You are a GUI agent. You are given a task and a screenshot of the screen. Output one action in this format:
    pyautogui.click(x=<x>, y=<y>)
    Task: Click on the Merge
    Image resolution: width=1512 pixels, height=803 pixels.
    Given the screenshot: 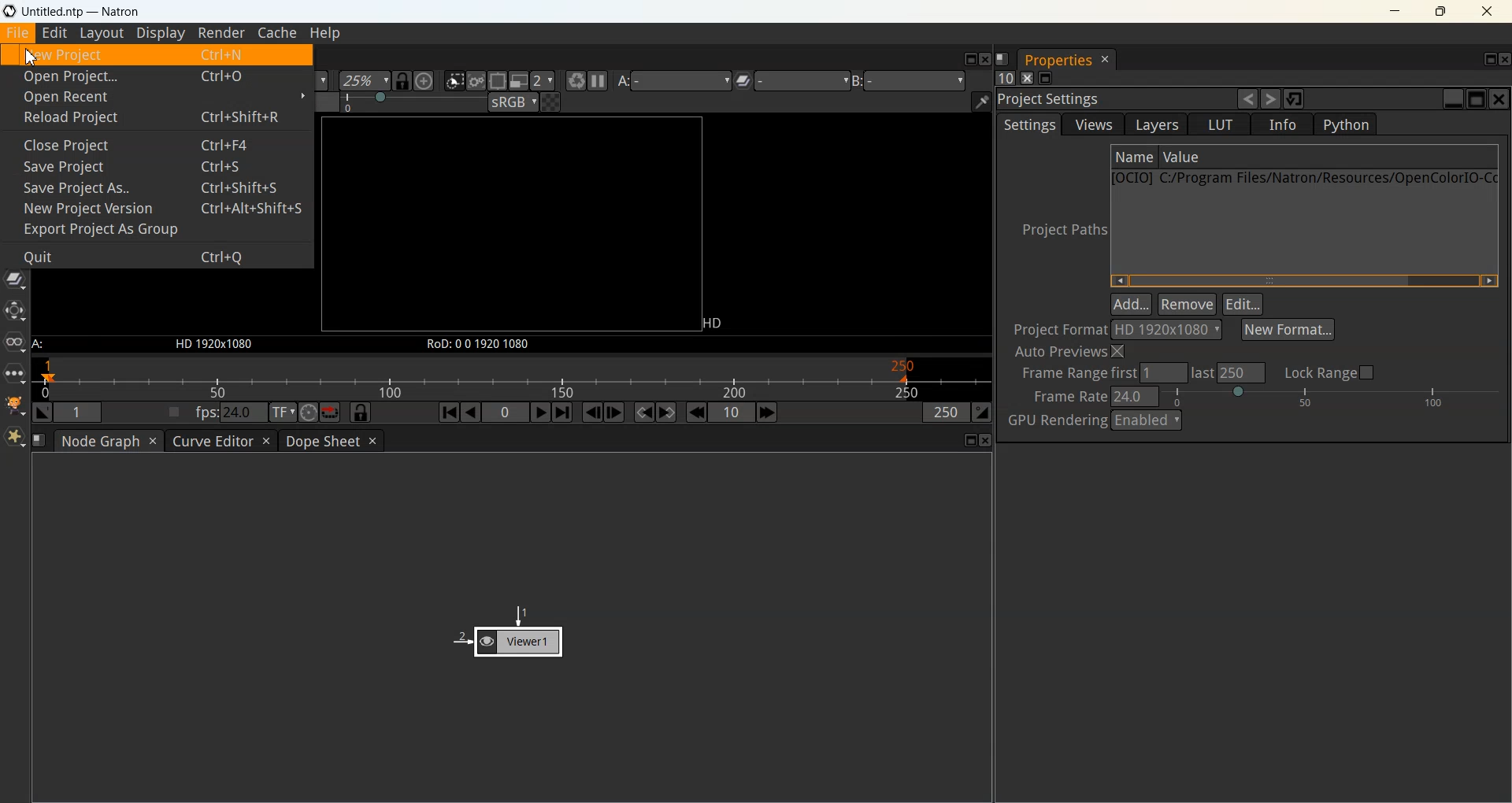 What is the action you would take?
    pyautogui.click(x=15, y=278)
    